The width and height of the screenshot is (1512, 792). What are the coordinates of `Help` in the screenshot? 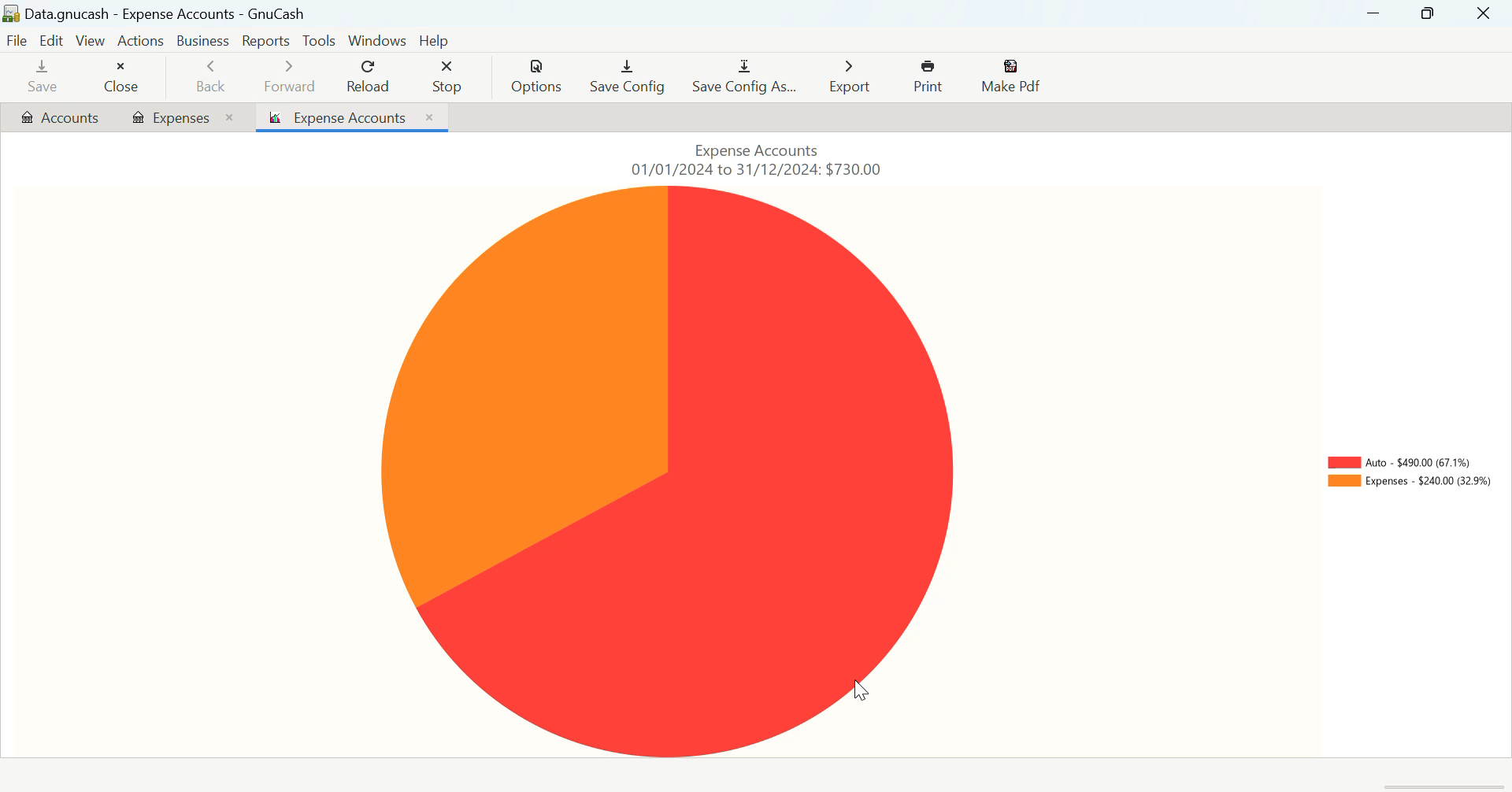 It's located at (436, 40).